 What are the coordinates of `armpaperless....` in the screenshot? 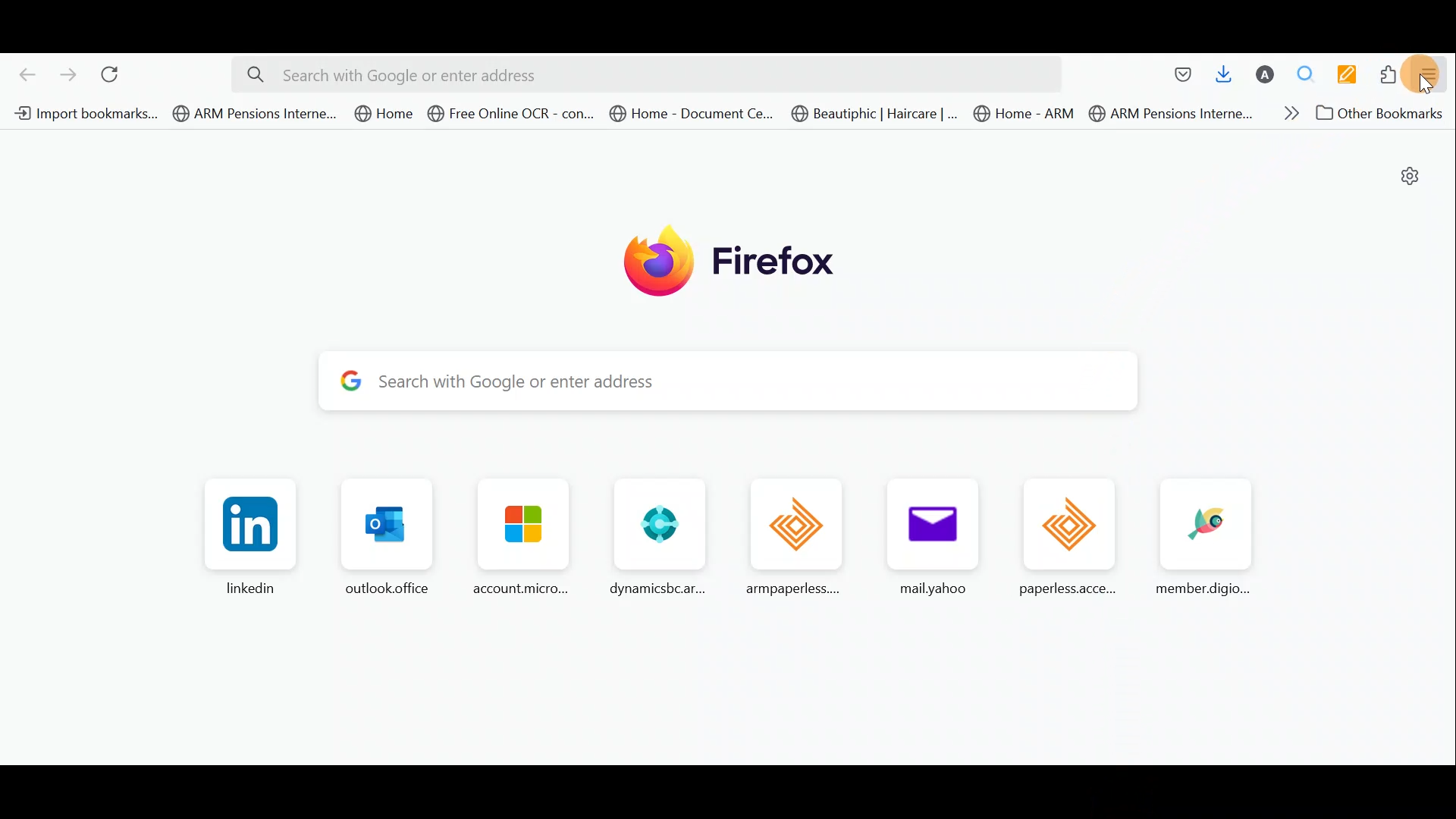 It's located at (800, 537).